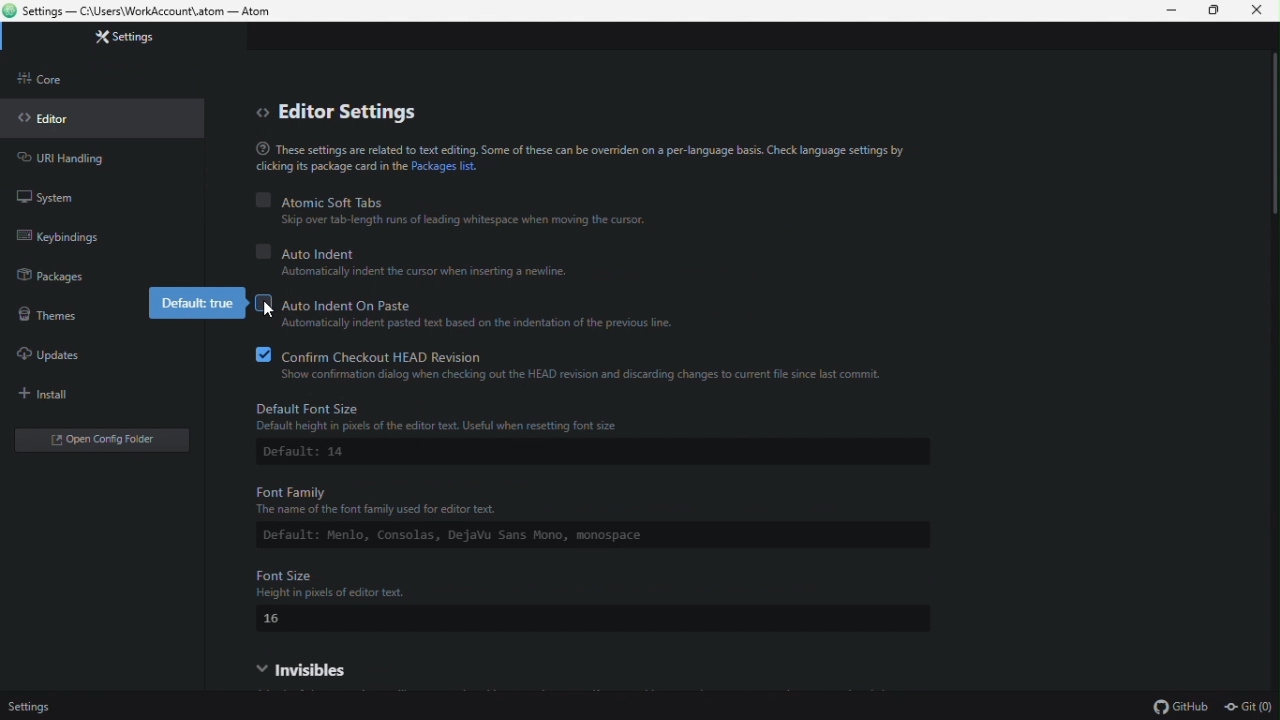  Describe the element at coordinates (1167, 13) in the screenshot. I see `Minimize` at that location.